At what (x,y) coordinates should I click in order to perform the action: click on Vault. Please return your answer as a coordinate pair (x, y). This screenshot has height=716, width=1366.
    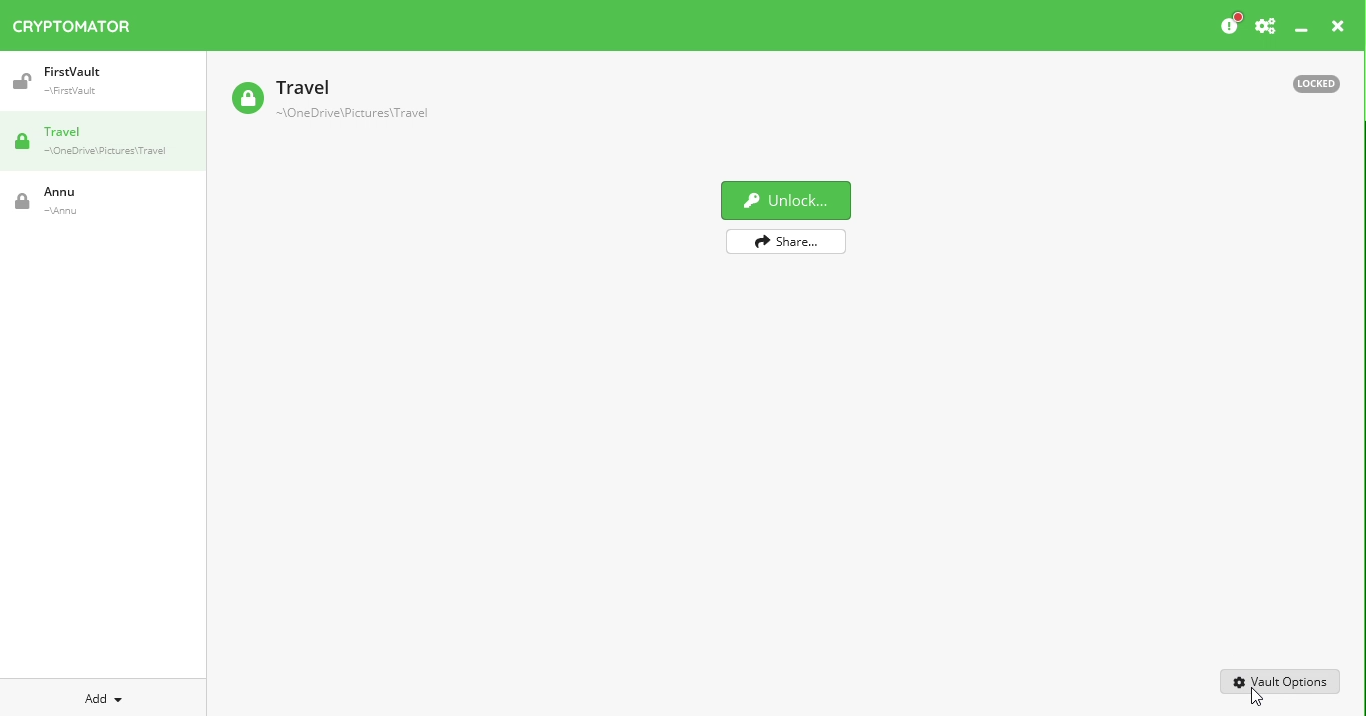
    Looking at the image, I should click on (85, 201).